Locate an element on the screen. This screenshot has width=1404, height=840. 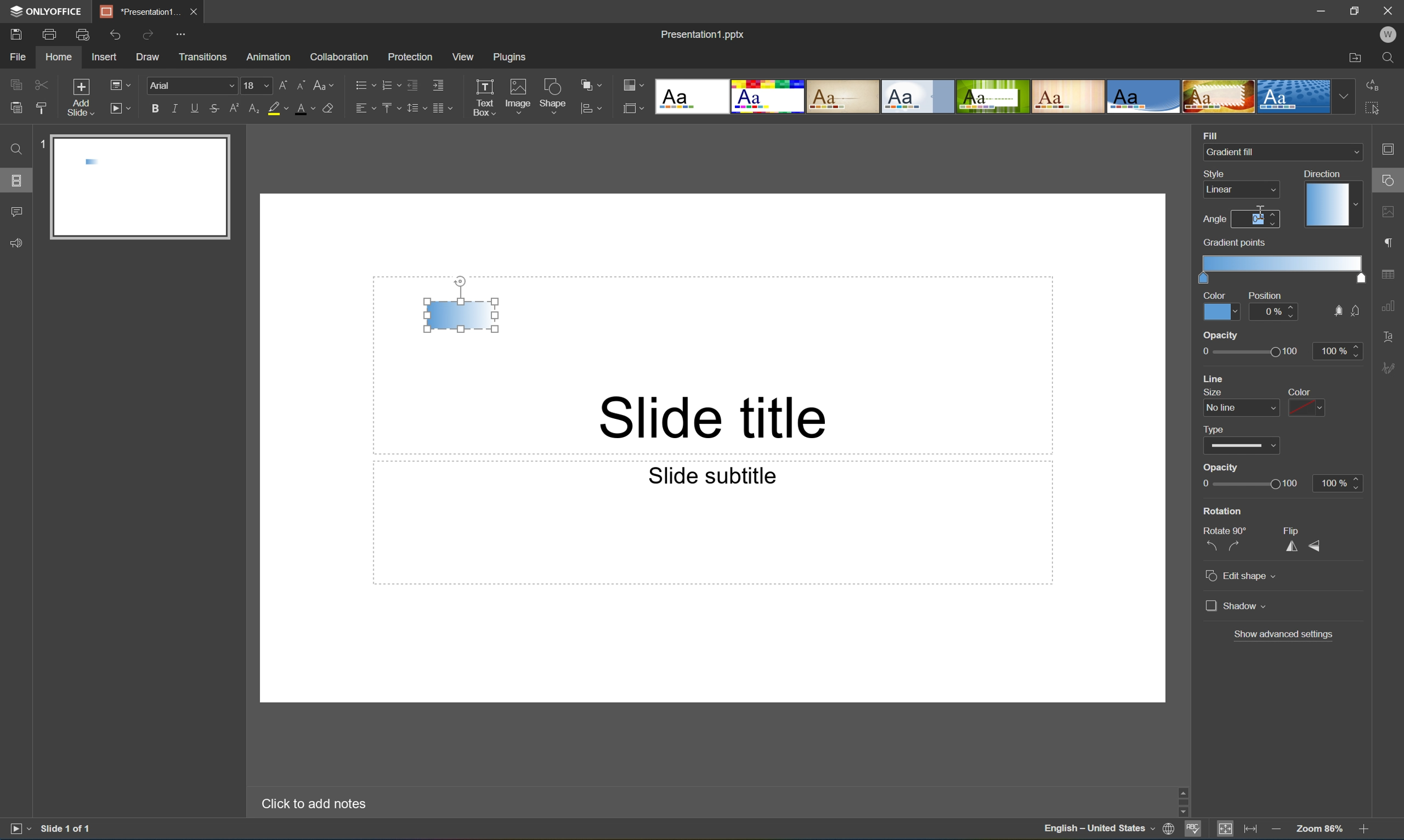
Rotate 90° clockwise is located at coordinates (1236, 546).